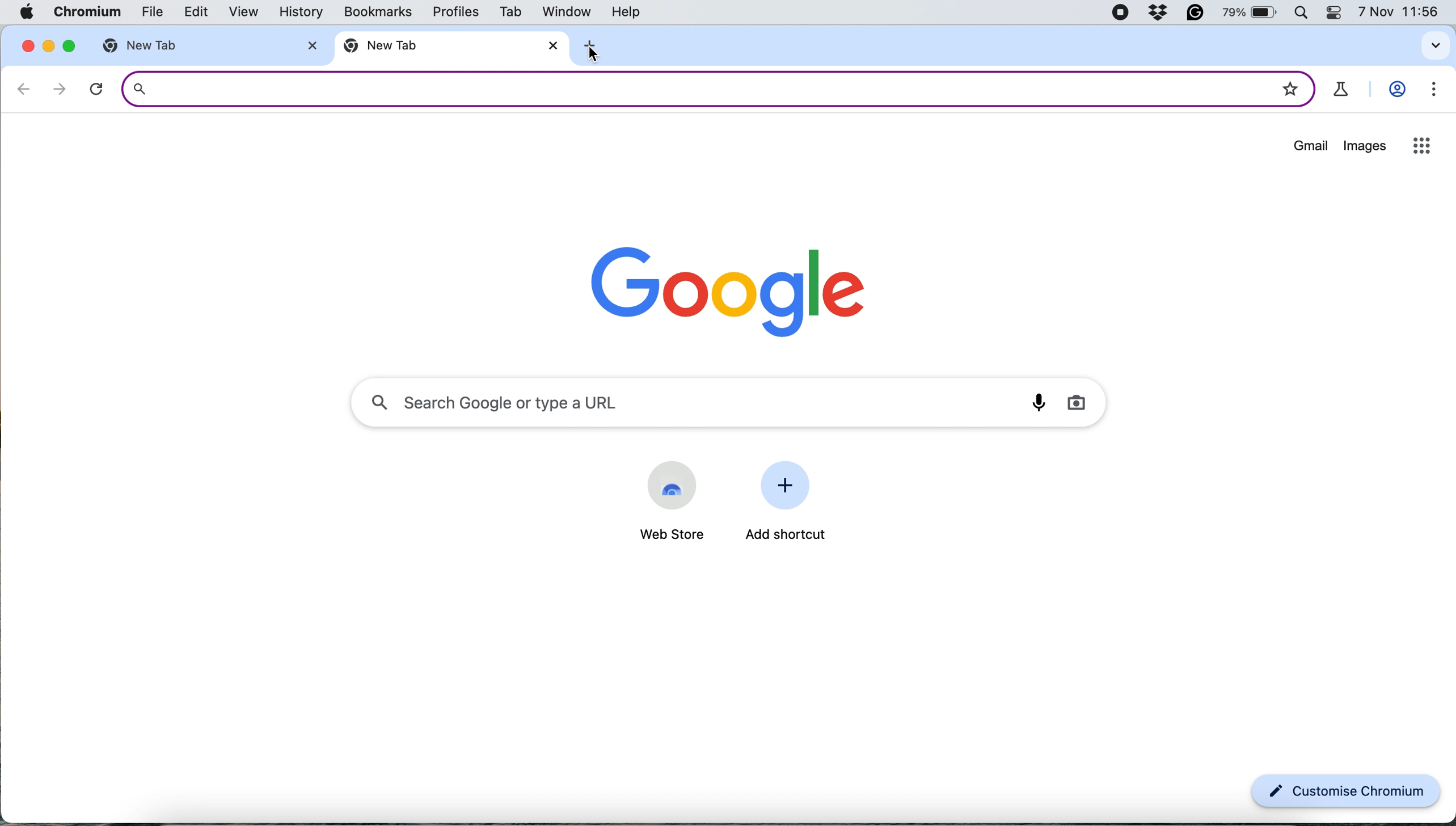 Image resolution: width=1456 pixels, height=826 pixels. I want to click on chromium, so click(86, 12).